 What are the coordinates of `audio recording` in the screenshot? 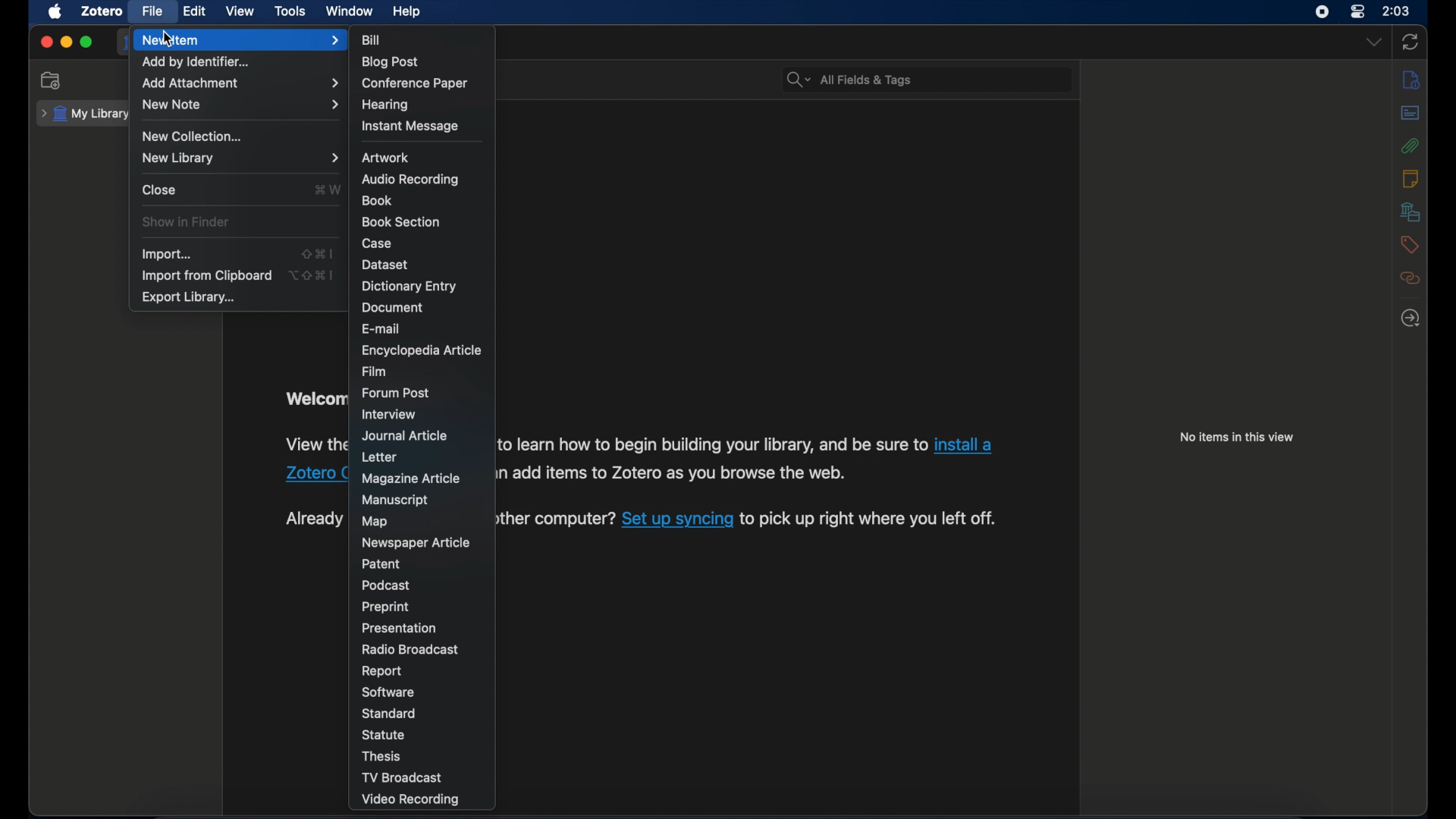 It's located at (409, 180).